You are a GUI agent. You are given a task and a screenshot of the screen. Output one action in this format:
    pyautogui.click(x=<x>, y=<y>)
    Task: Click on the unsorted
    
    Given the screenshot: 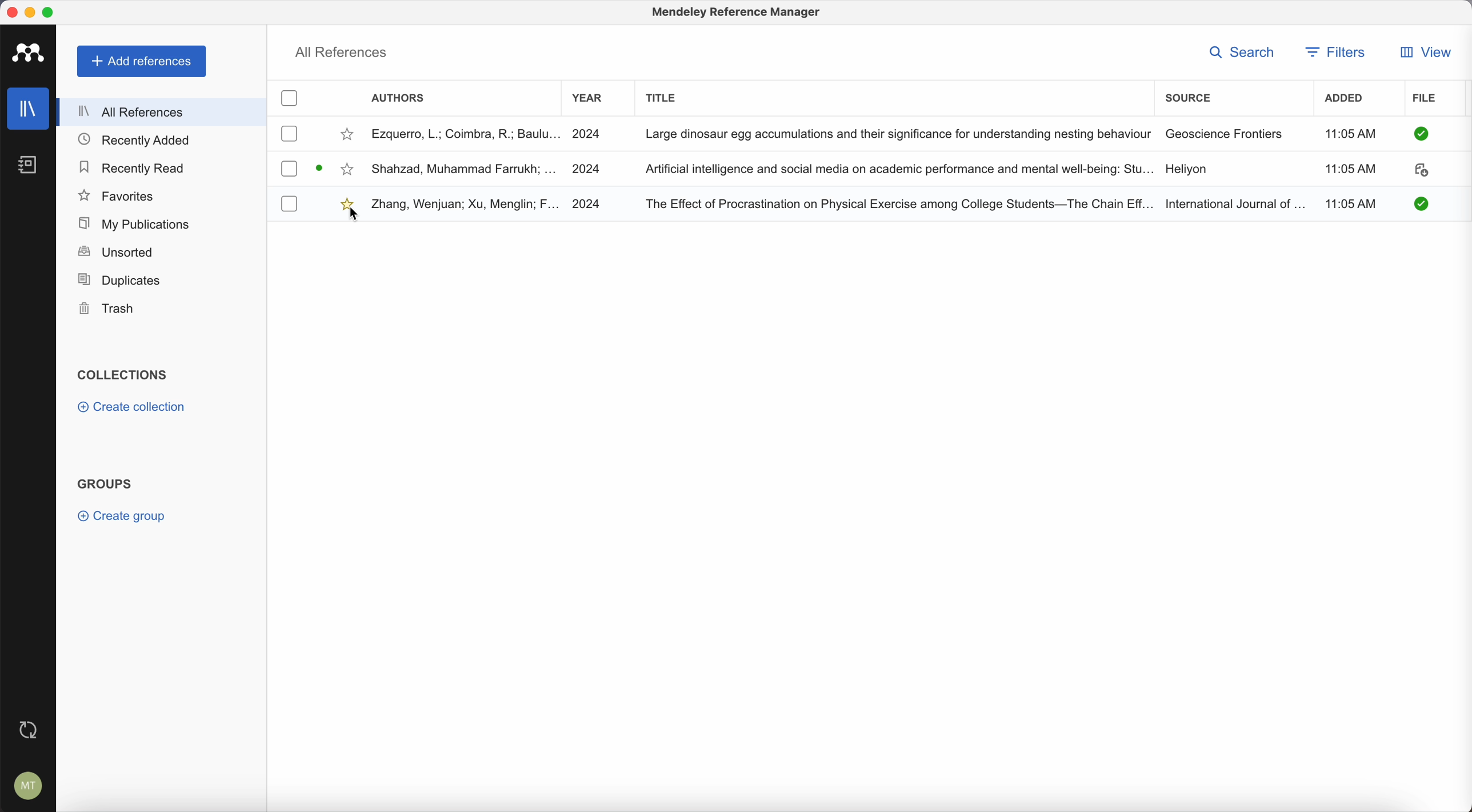 What is the action you would take?
    pyautogui.click(x=115, y=253)
    